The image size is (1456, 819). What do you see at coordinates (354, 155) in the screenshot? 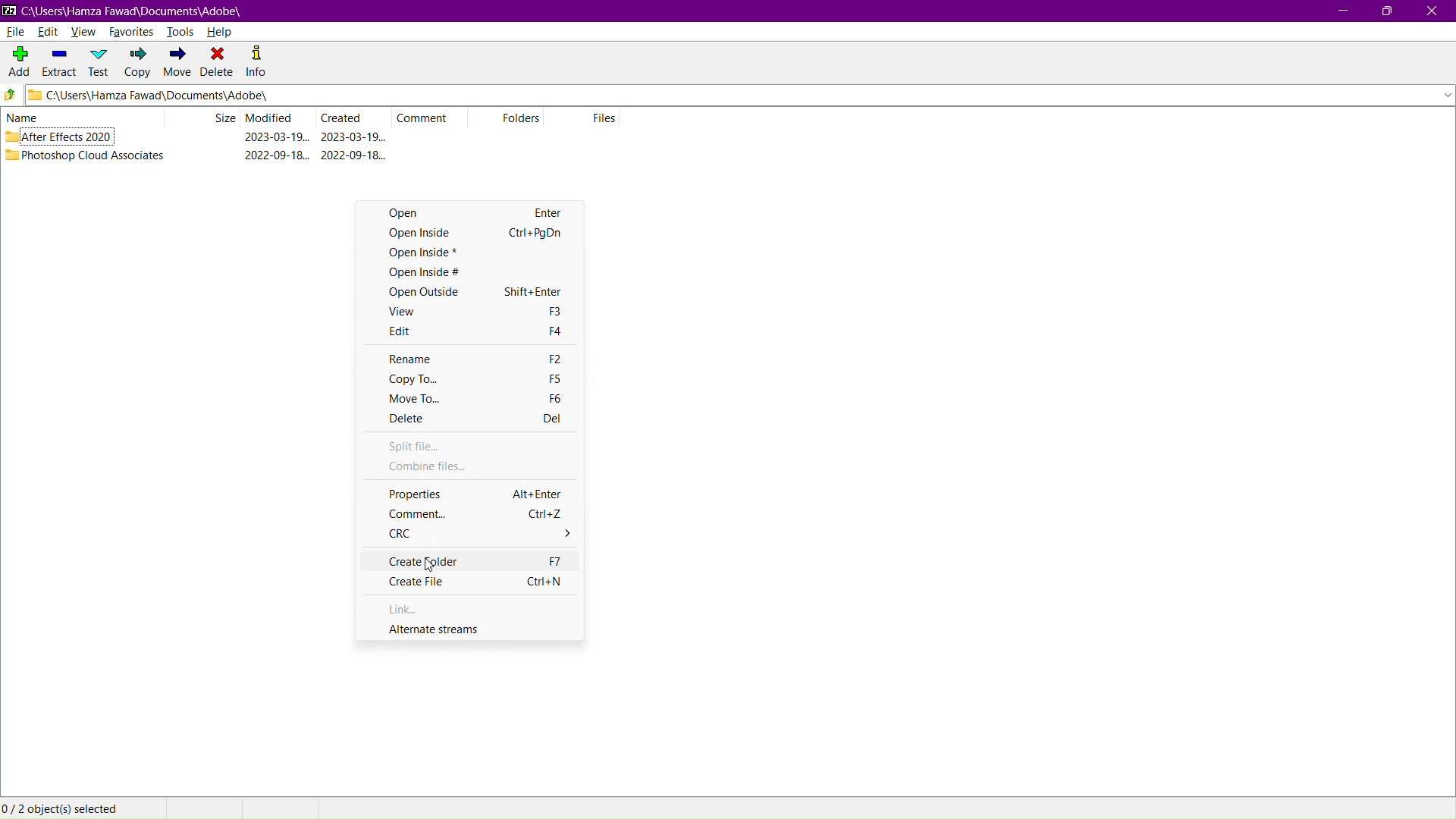
I see `created date & time` at bounding box center [354, 155].